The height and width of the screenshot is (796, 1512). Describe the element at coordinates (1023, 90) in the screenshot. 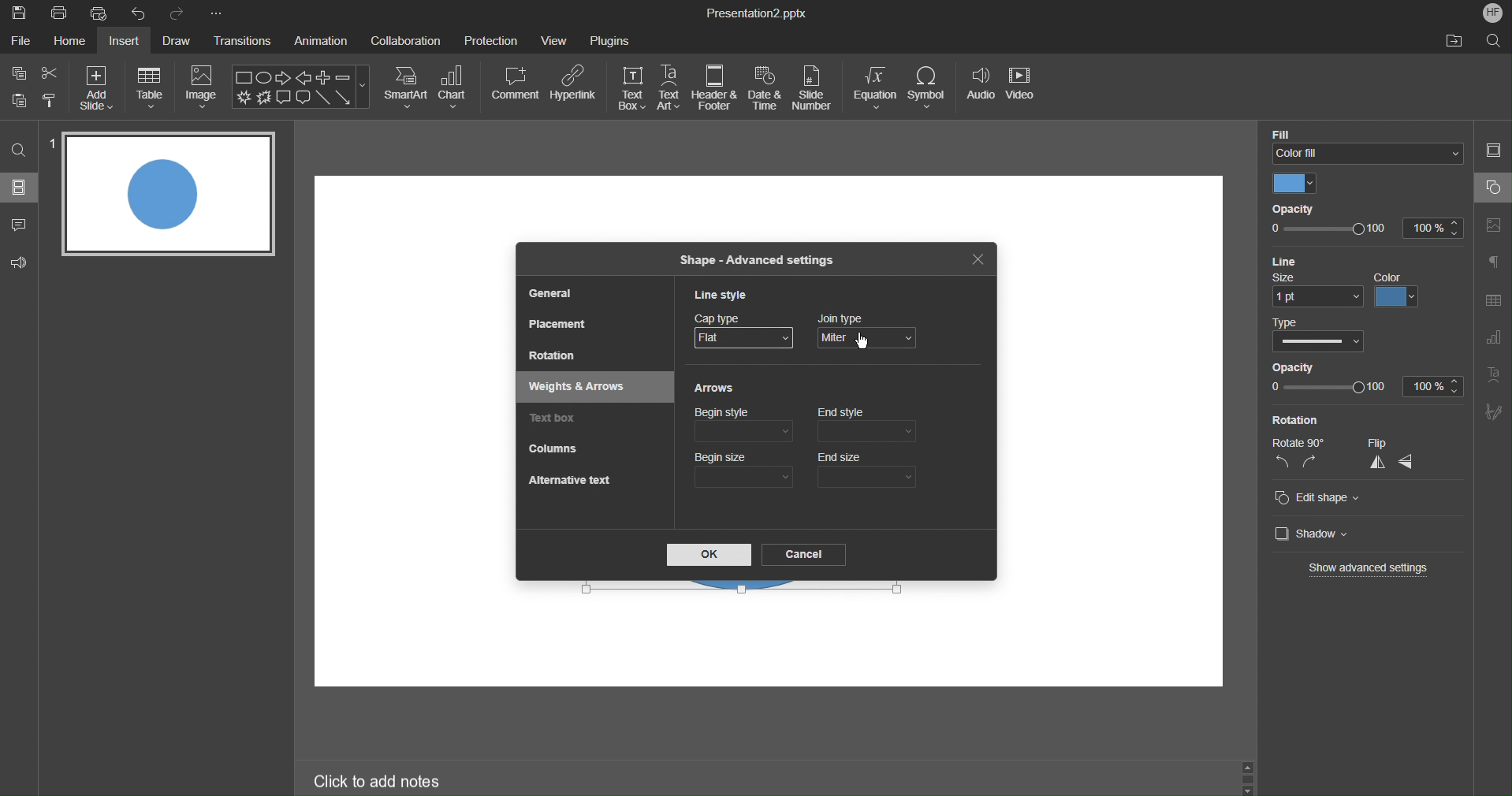

I see `Video` at that location.